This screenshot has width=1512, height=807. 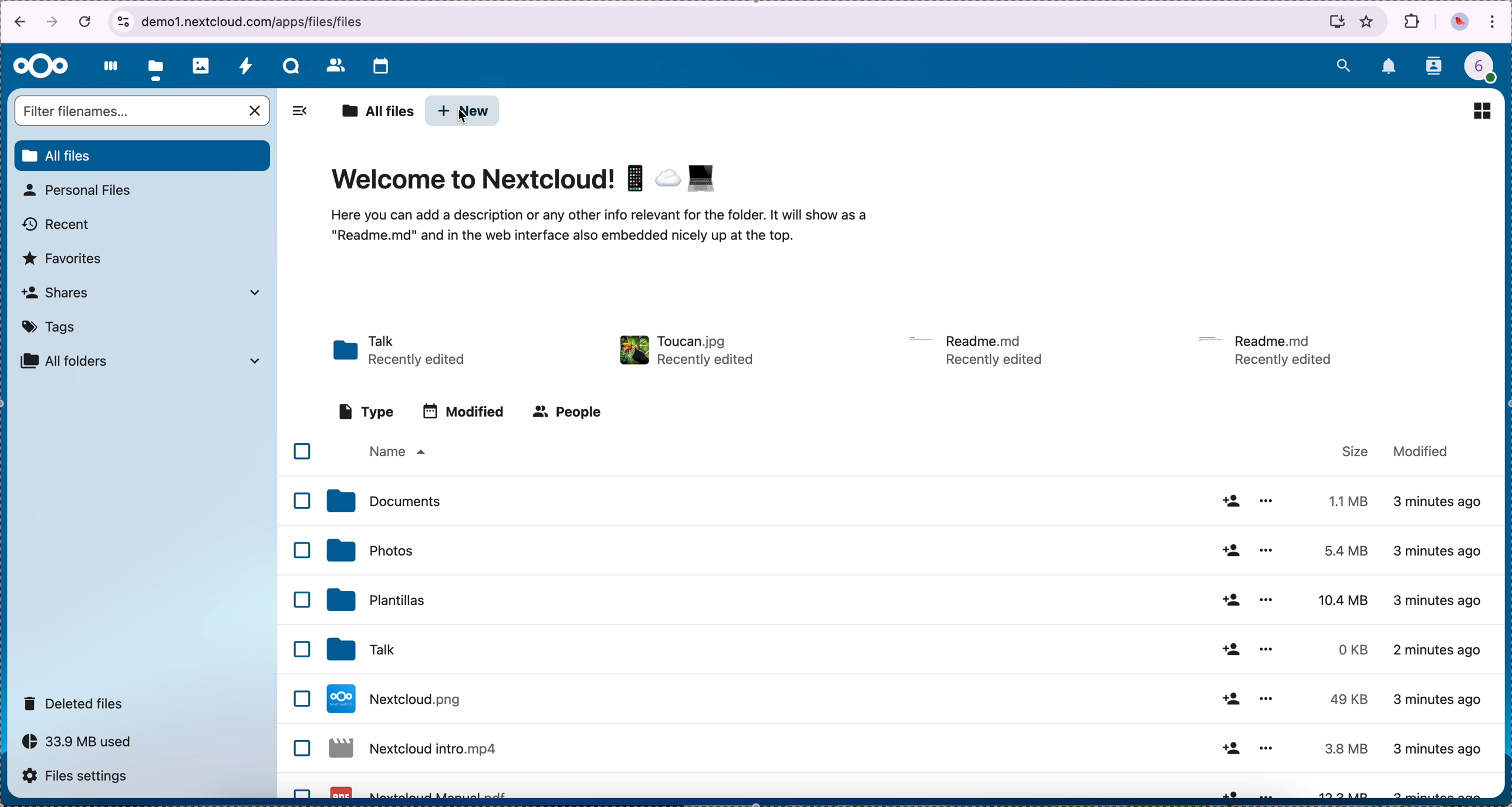 What do you see at coordinates (1481, 110) in the screenshot?
I see `view grid` at bounding box center [1481, 110].